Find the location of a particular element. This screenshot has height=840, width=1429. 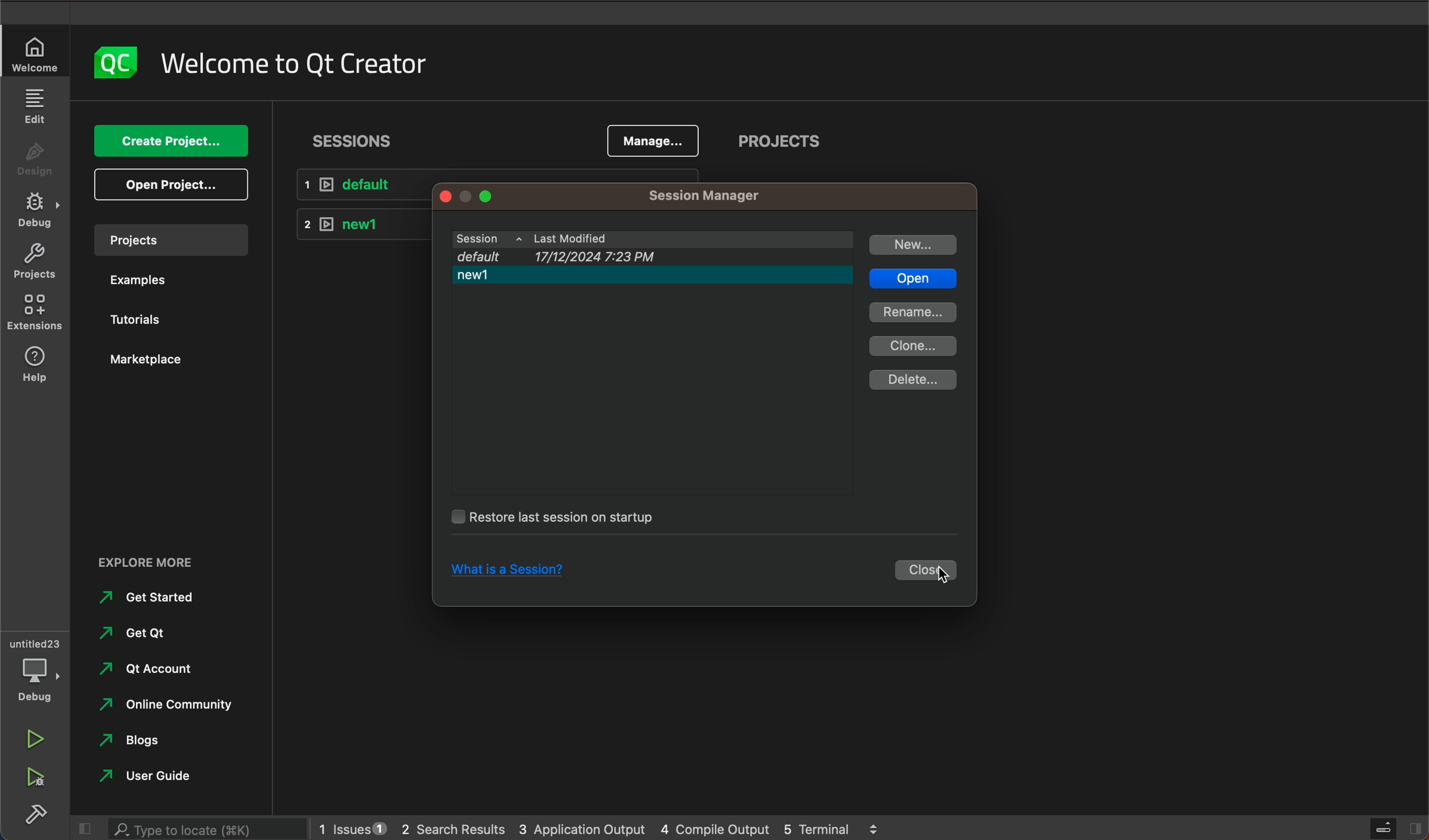

close slidebar is located at coordinates (1394, 827).